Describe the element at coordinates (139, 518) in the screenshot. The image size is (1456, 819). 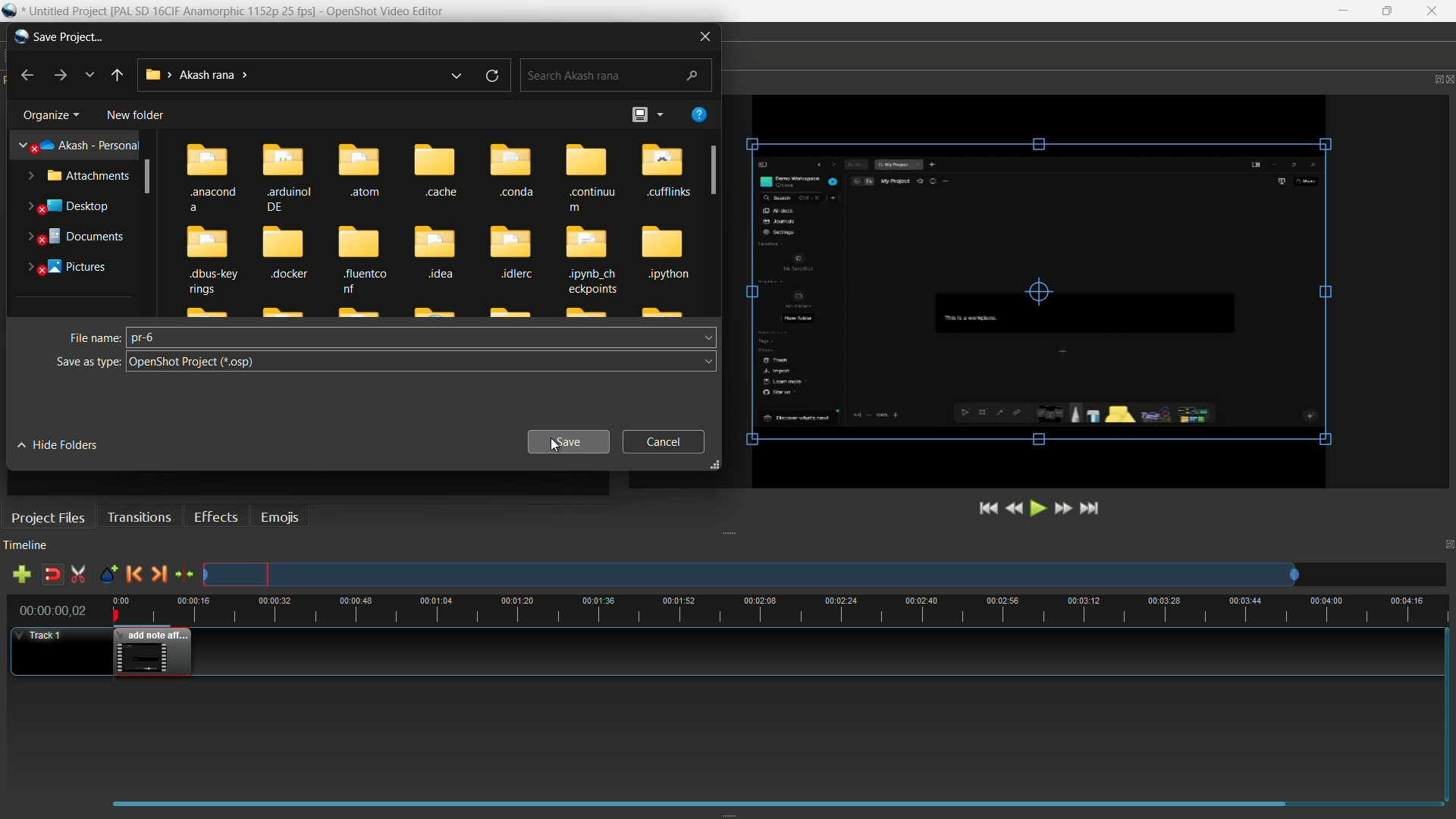
I see `transitions` at that location.